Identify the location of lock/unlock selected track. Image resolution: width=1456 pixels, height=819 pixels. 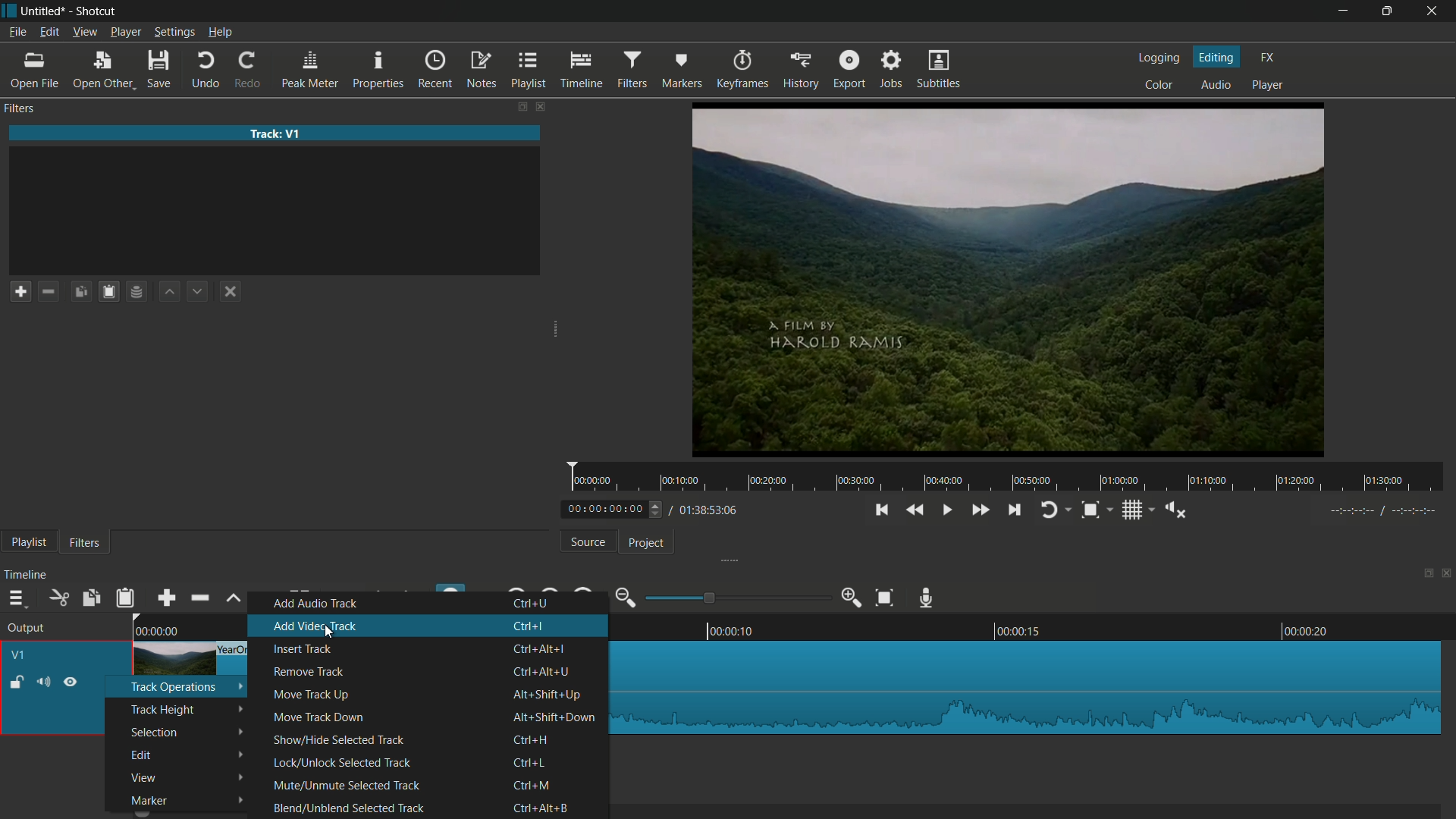
(344, 762).